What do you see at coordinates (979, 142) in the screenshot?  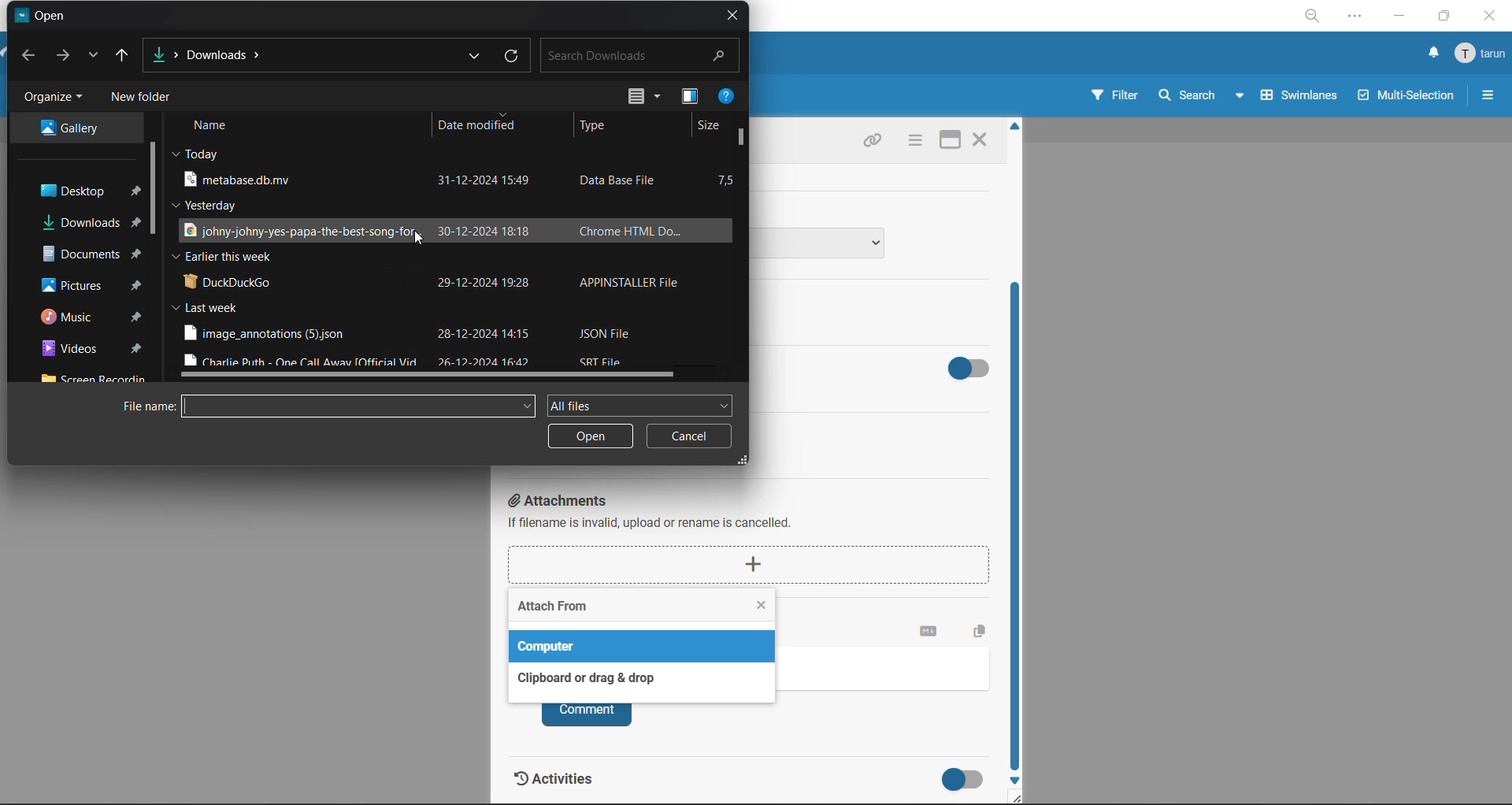 I see `close` at bounding box center [979, 142].